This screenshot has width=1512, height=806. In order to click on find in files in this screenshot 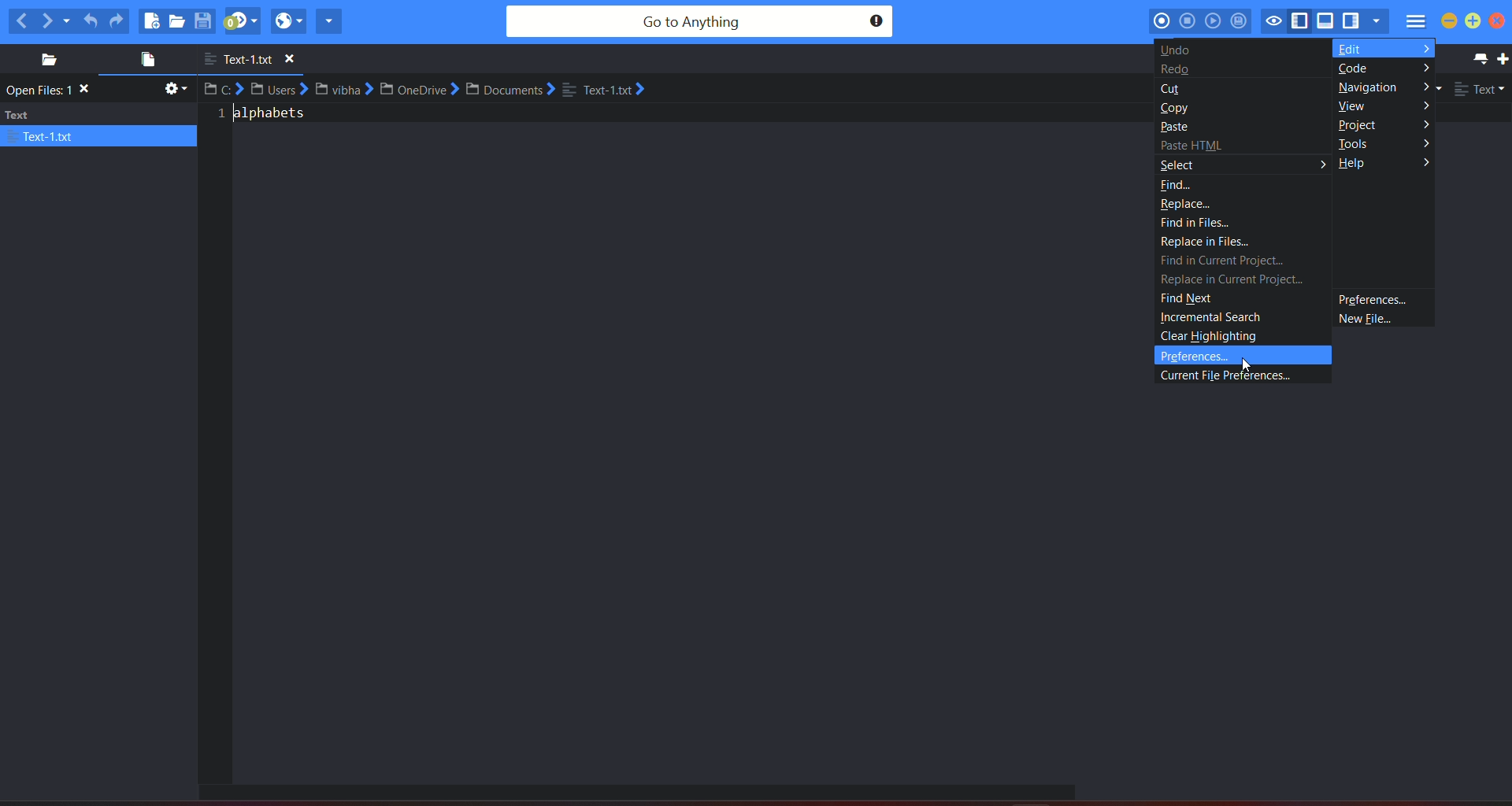, I will do `click(1201, 222)`.